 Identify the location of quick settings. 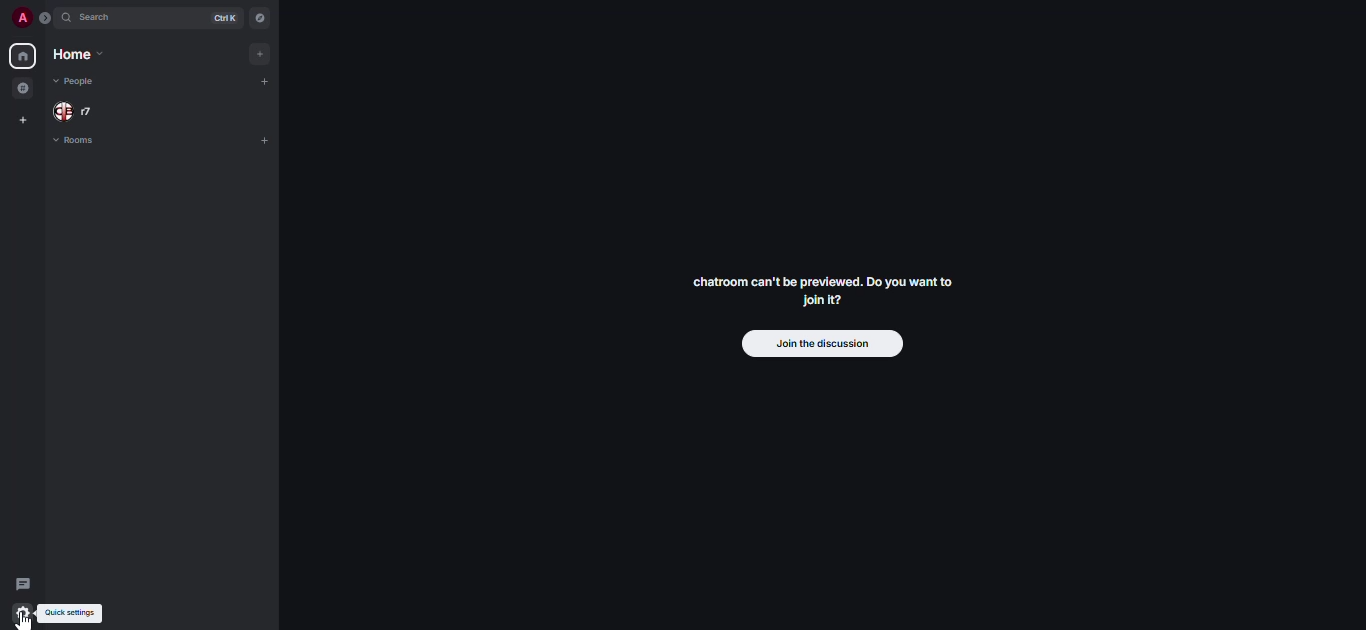
(72, 612).